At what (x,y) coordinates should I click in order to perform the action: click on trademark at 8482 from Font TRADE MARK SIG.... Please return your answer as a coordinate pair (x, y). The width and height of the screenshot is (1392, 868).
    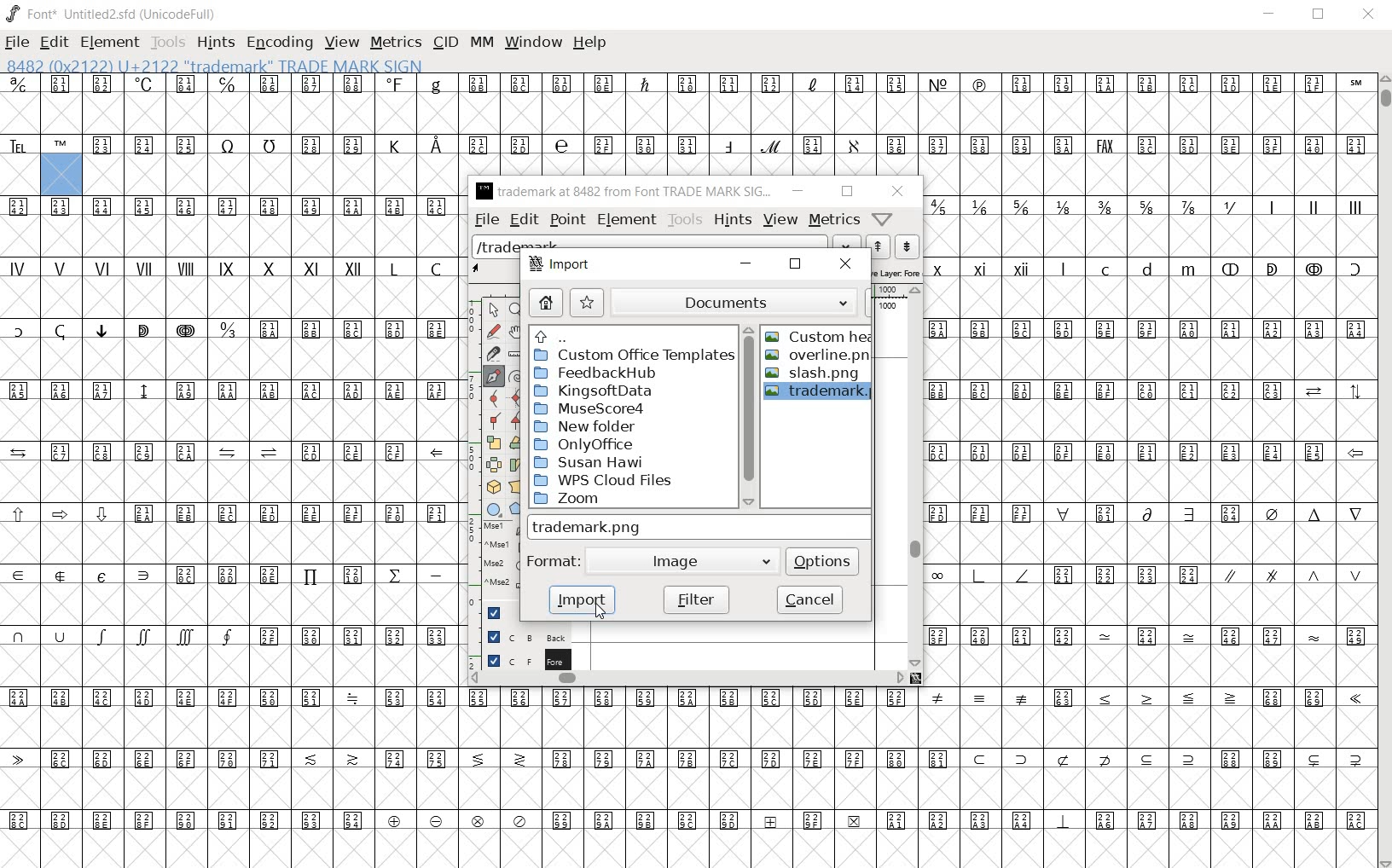
    Looking at the image, I should click on (624, 192).